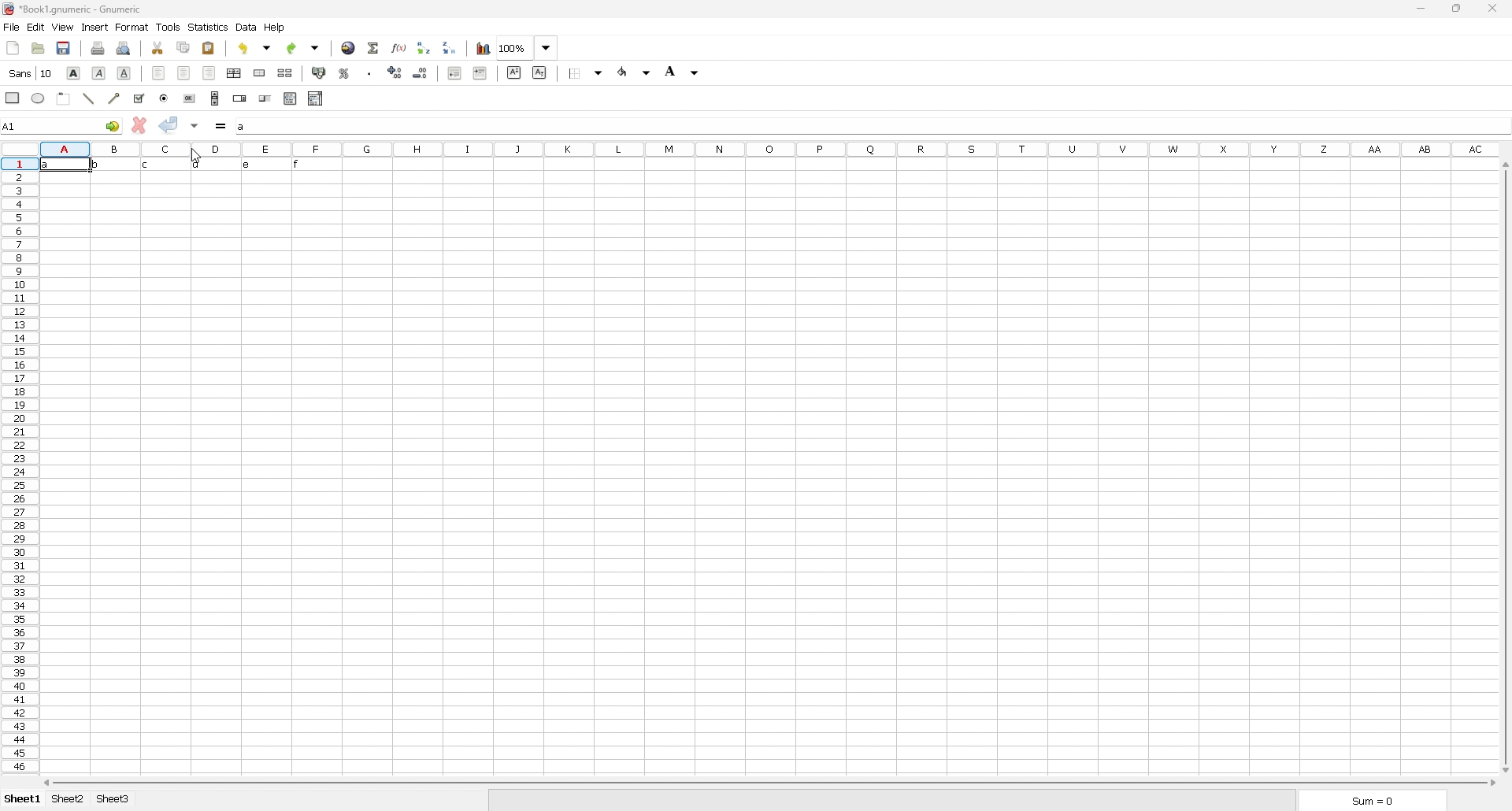 This screenshot has height=811, width=1512. What do you see at coordinates (374, 47) in the screenshot?
I see `summation` at bounding box center [374, 47].